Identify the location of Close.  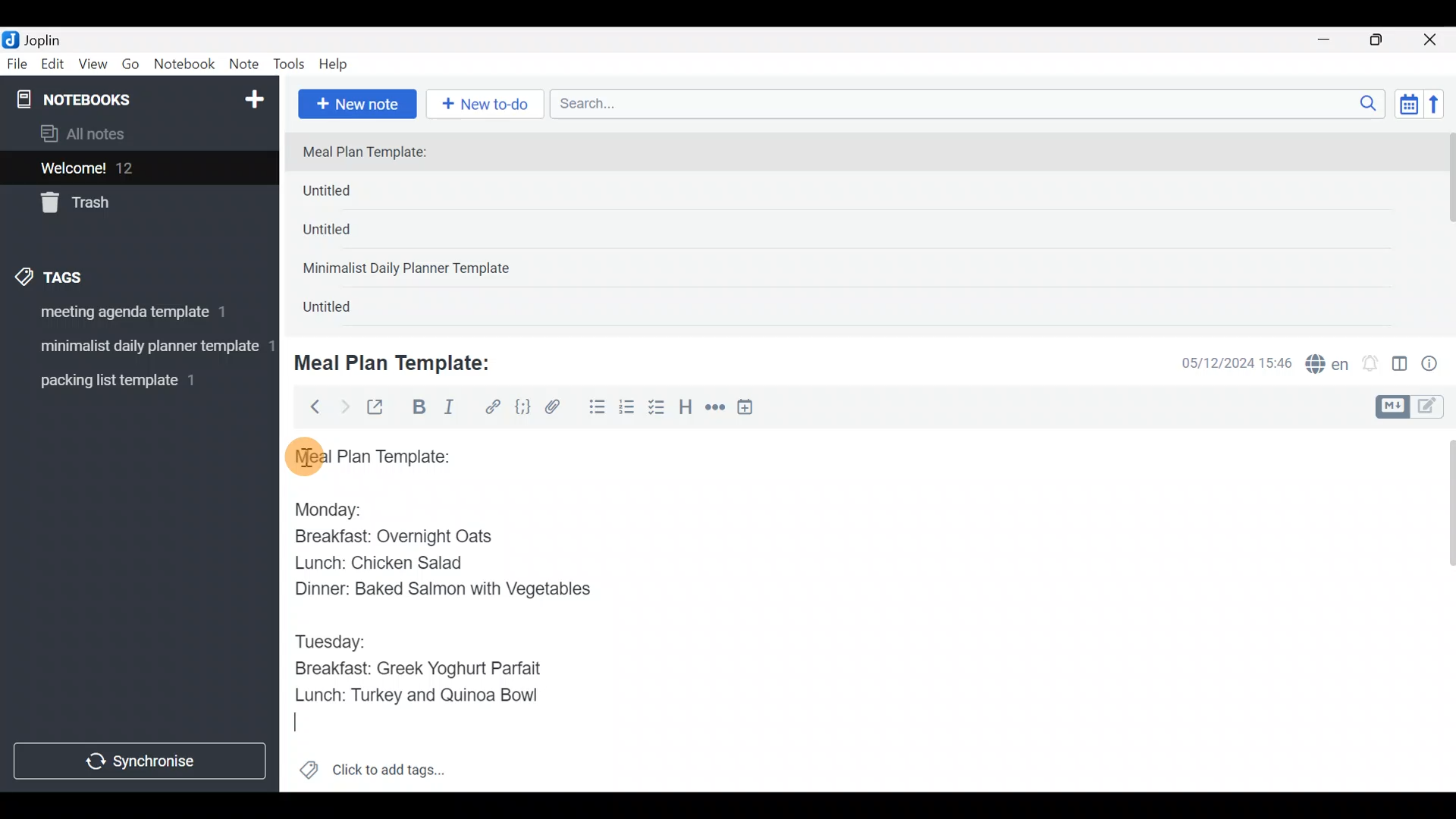
(1432, 41).